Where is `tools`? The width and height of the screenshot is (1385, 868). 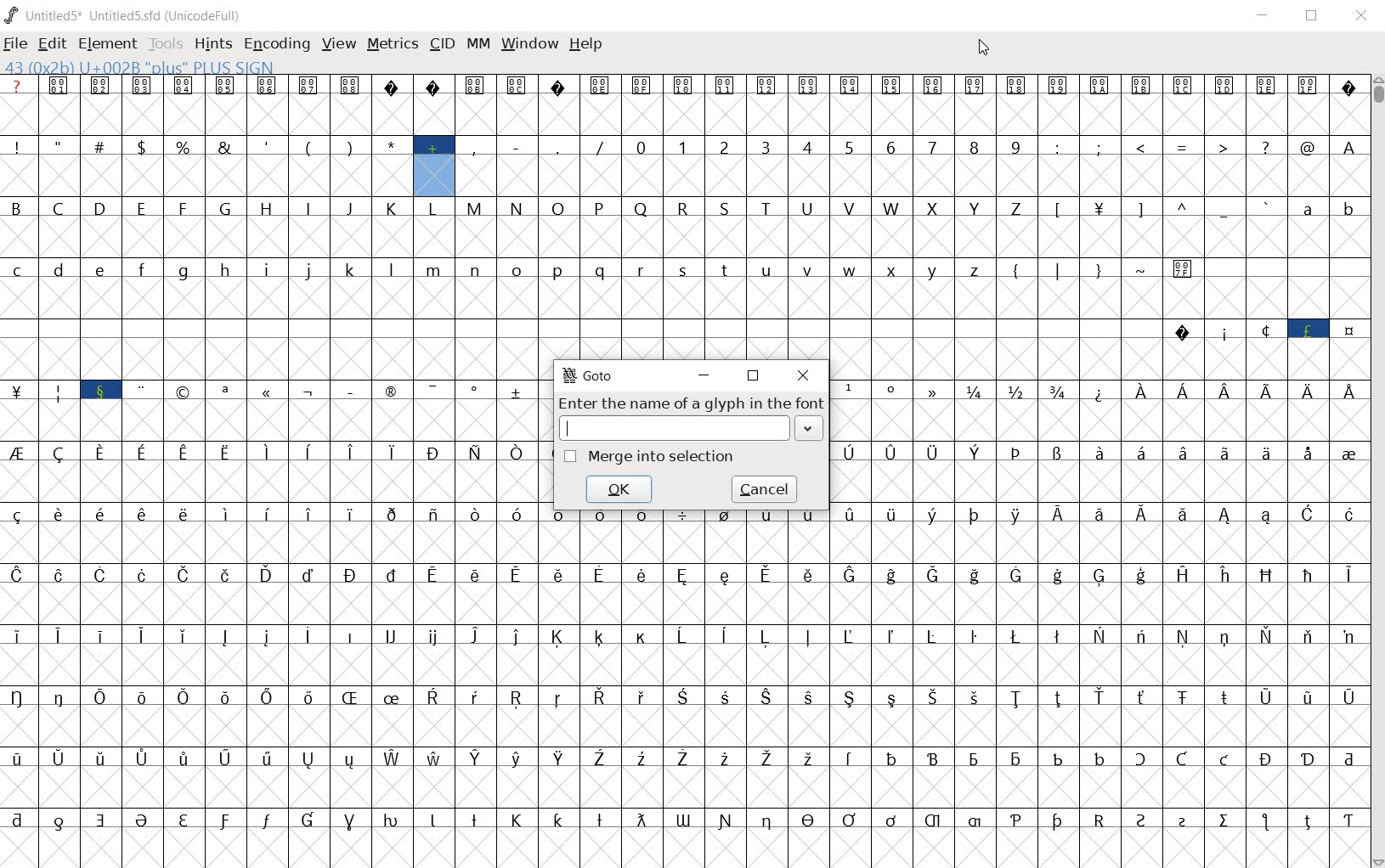
tools is located at coordinates (164, 42).